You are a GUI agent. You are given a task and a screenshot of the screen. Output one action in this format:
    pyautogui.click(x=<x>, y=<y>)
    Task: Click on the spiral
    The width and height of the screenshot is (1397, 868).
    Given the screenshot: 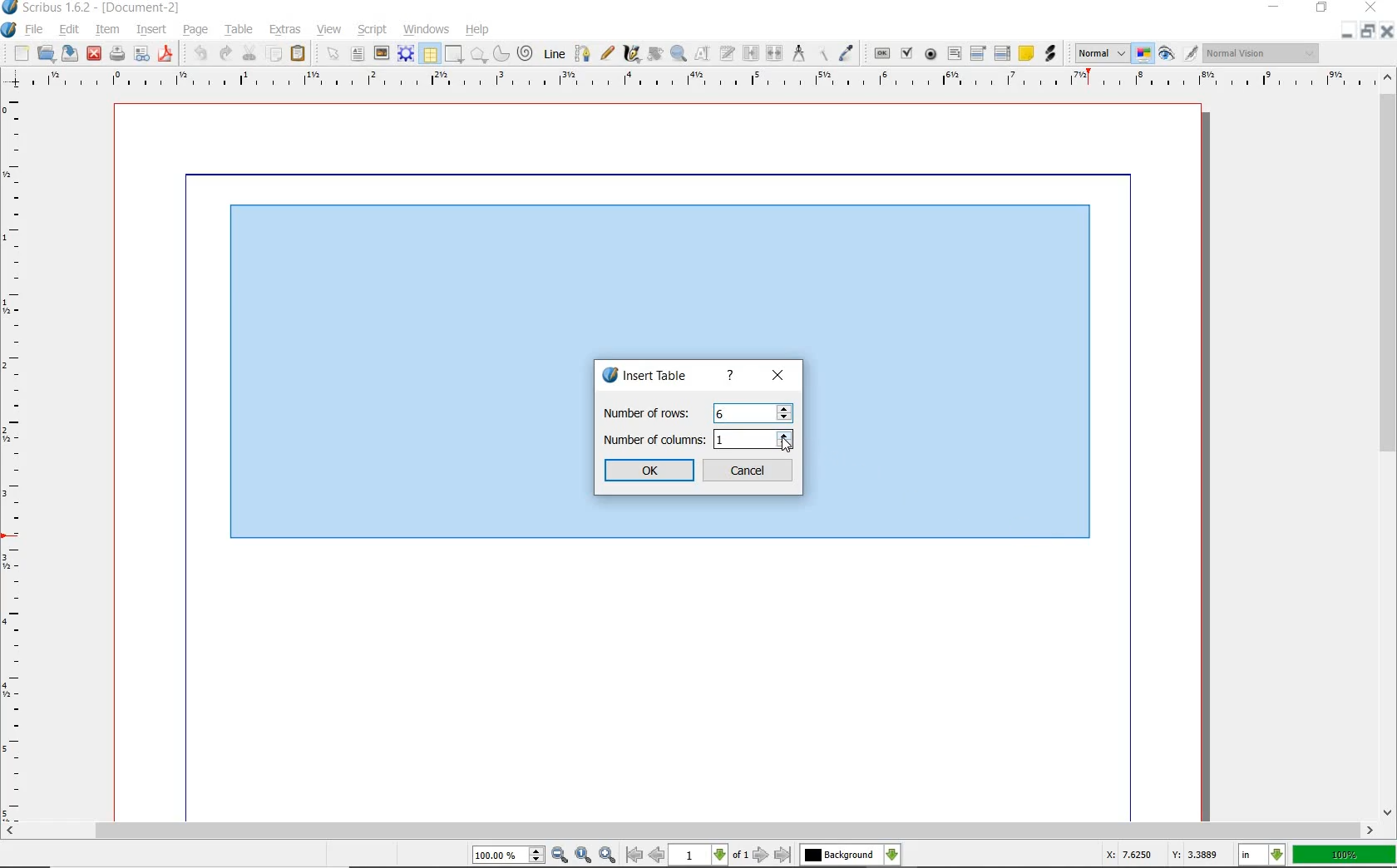 What is the action you would take?
    pyautogui.click(x=526, y=54)
    